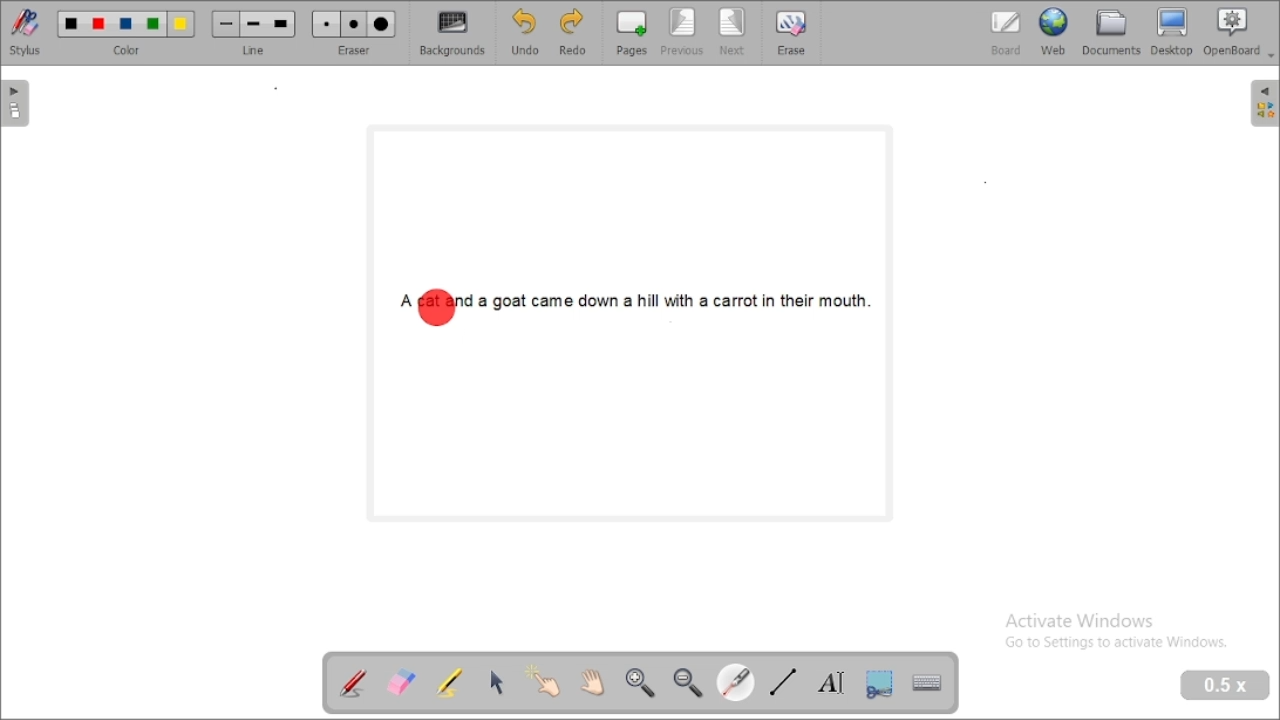 Image resolution: width=1280 pixels, height=720 pixels. What do you see at coordinates (1054, 32) in the screenshot?
I see `web` at bounding box center [1054, 32].